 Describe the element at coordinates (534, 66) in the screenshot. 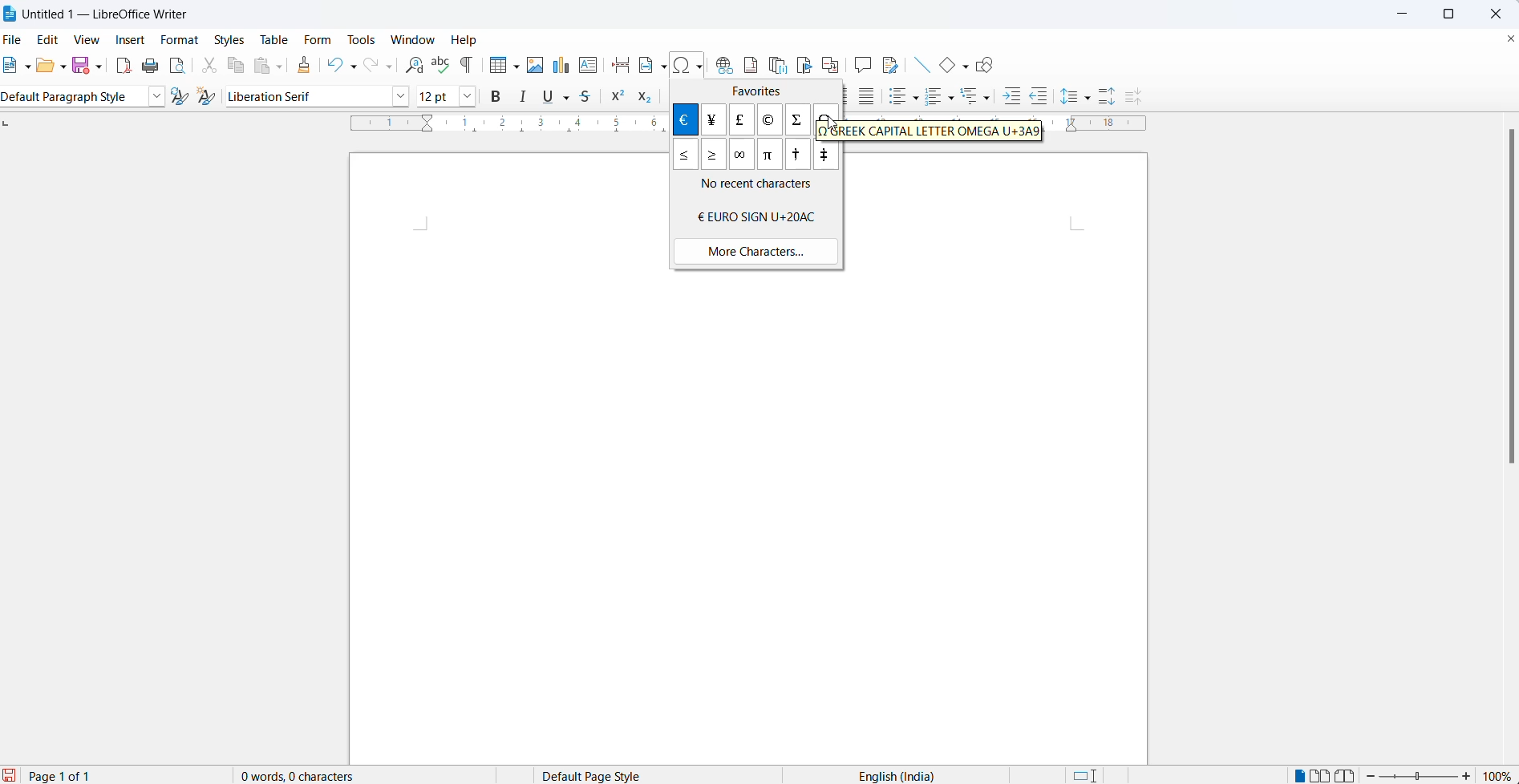

I see `insert images` at that location.